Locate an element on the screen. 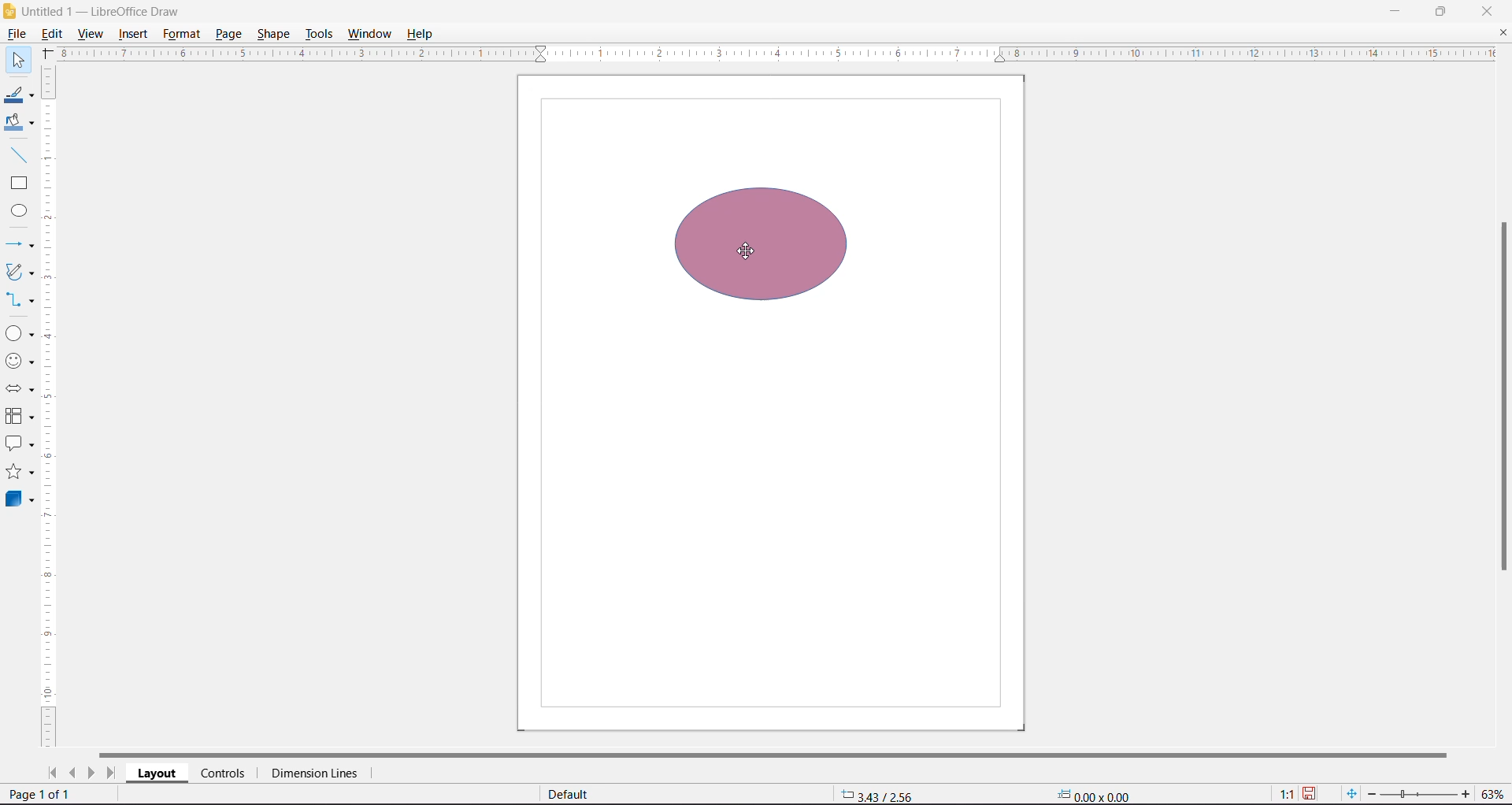 Image resolution: width=1512 pixels, height=805 pixels. Select Tool is located at coordinates (18, 61).